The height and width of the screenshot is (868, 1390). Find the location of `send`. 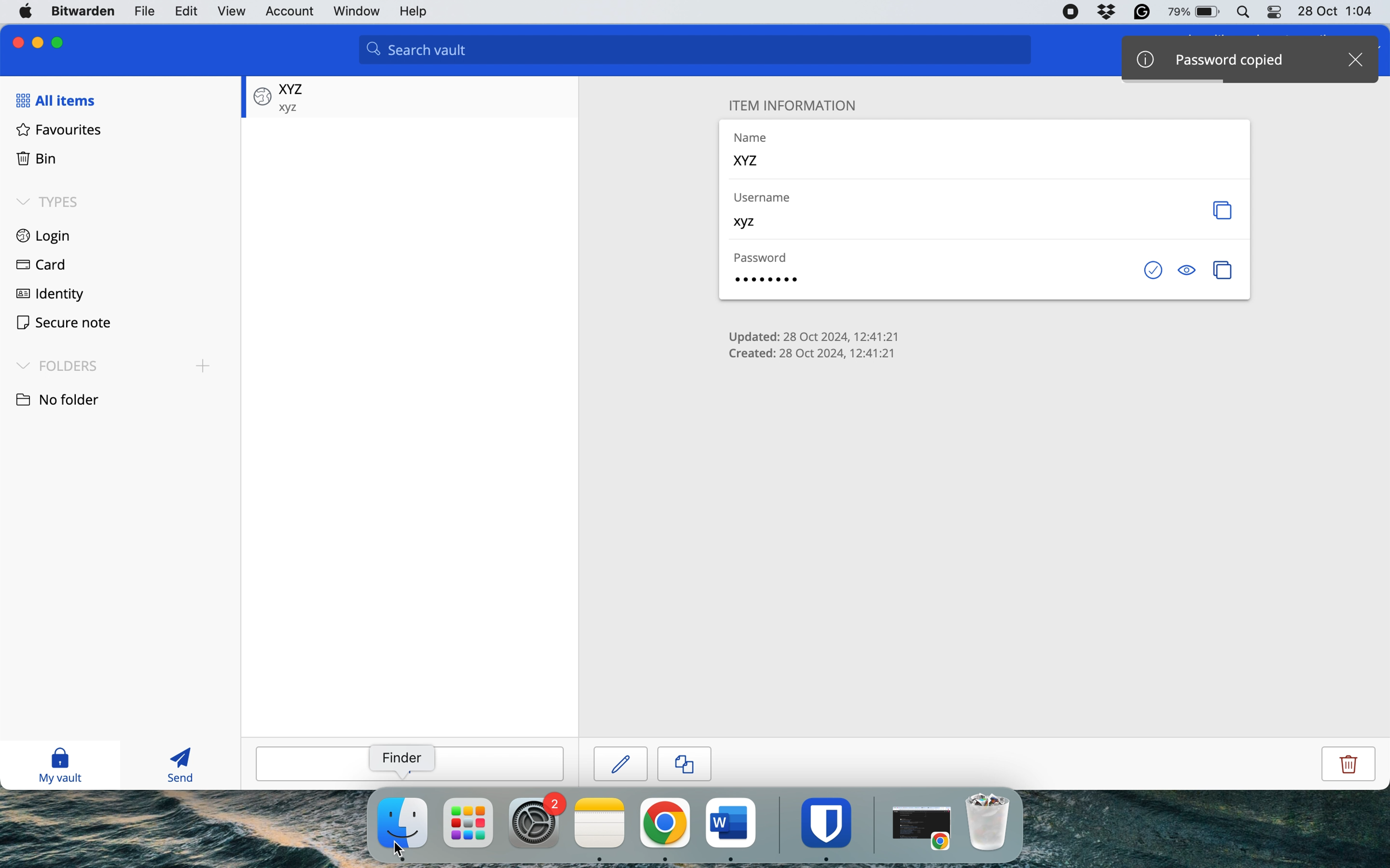

send is located at coordinates (176, 766).